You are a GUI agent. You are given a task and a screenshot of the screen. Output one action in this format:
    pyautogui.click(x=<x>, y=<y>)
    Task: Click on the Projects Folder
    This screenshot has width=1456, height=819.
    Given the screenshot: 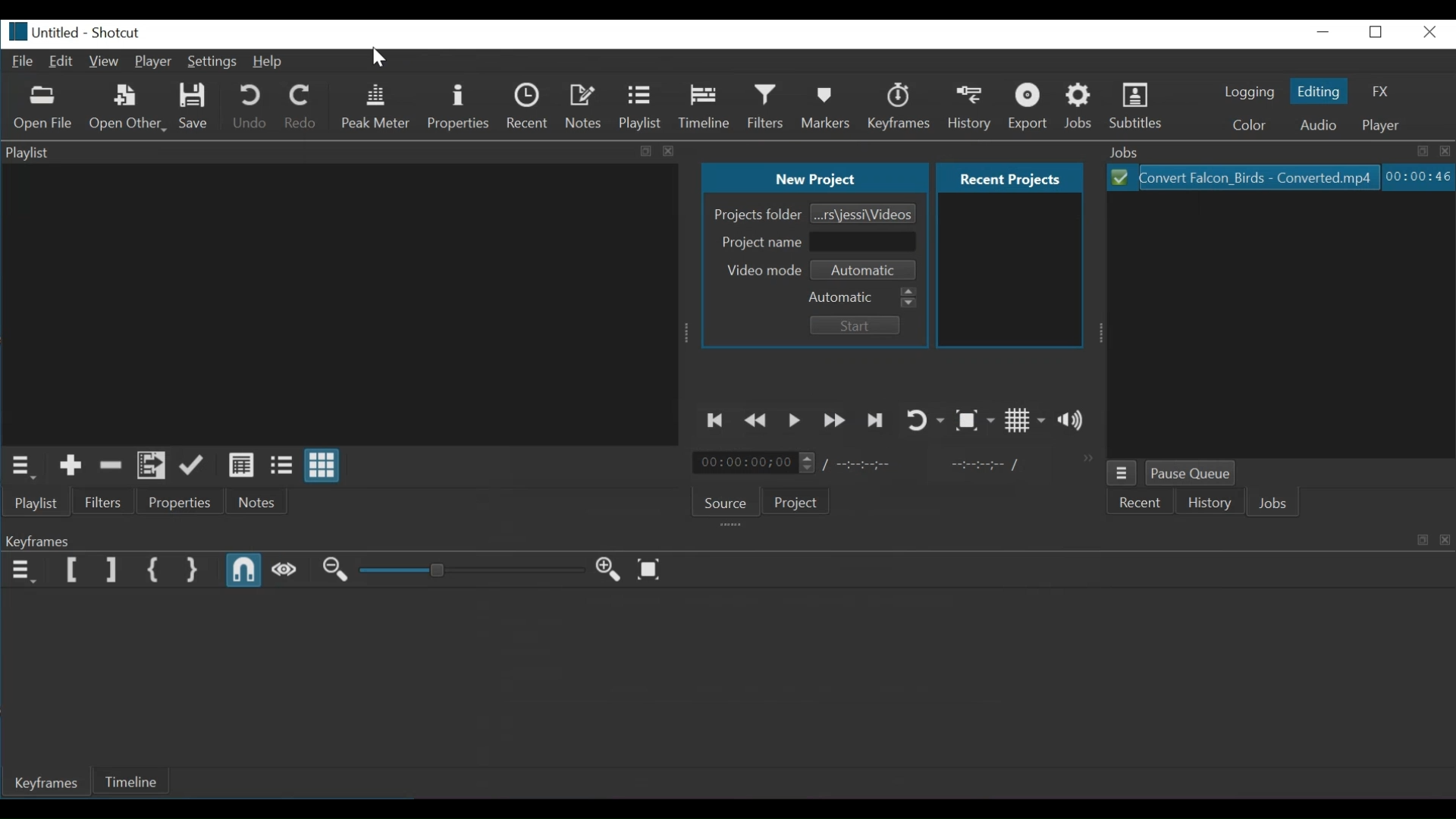 What is the action you would take?
    pyautogui.click(x=758, y=215)
    